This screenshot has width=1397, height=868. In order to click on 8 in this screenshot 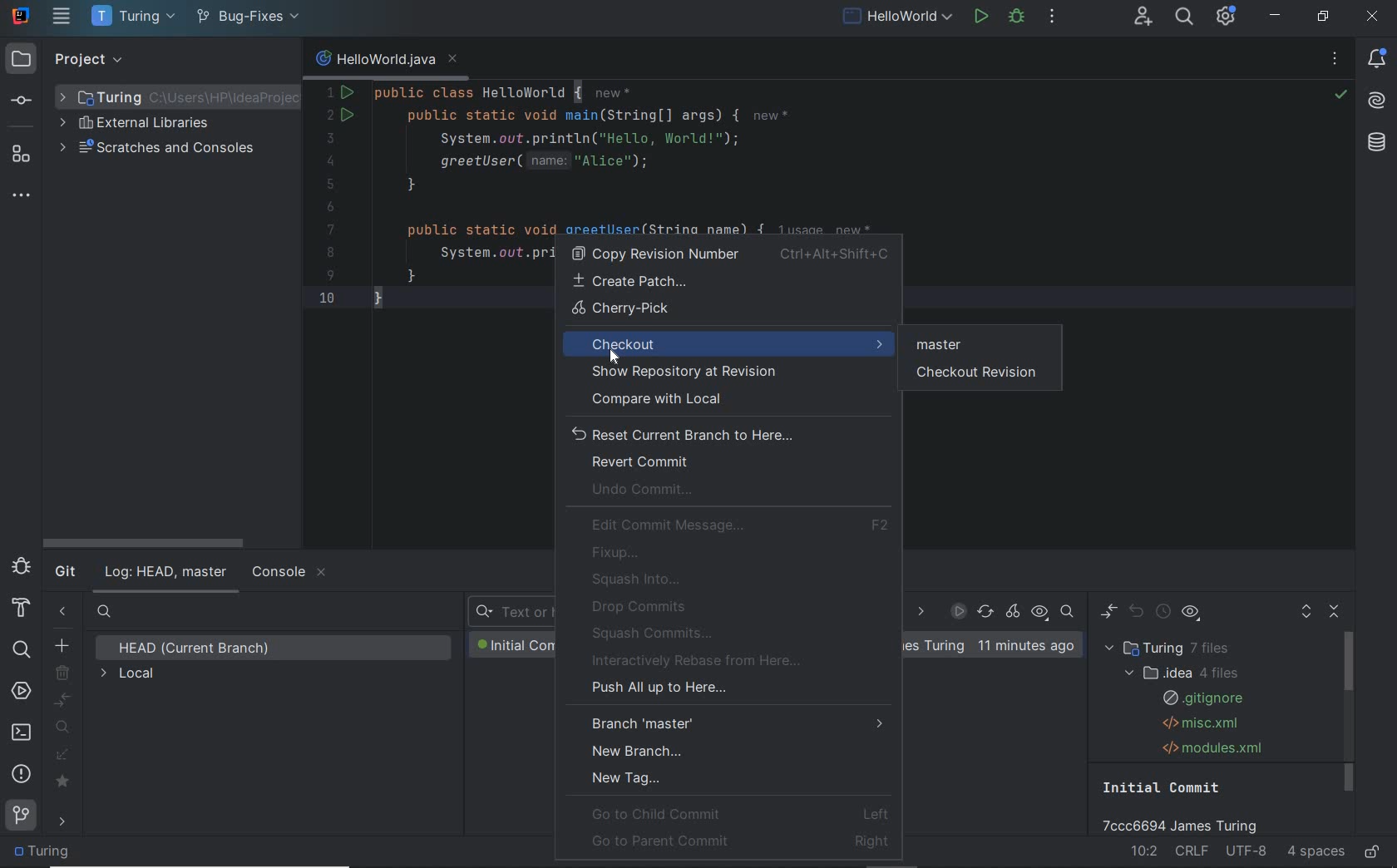, I will do `click(330, 253)`.